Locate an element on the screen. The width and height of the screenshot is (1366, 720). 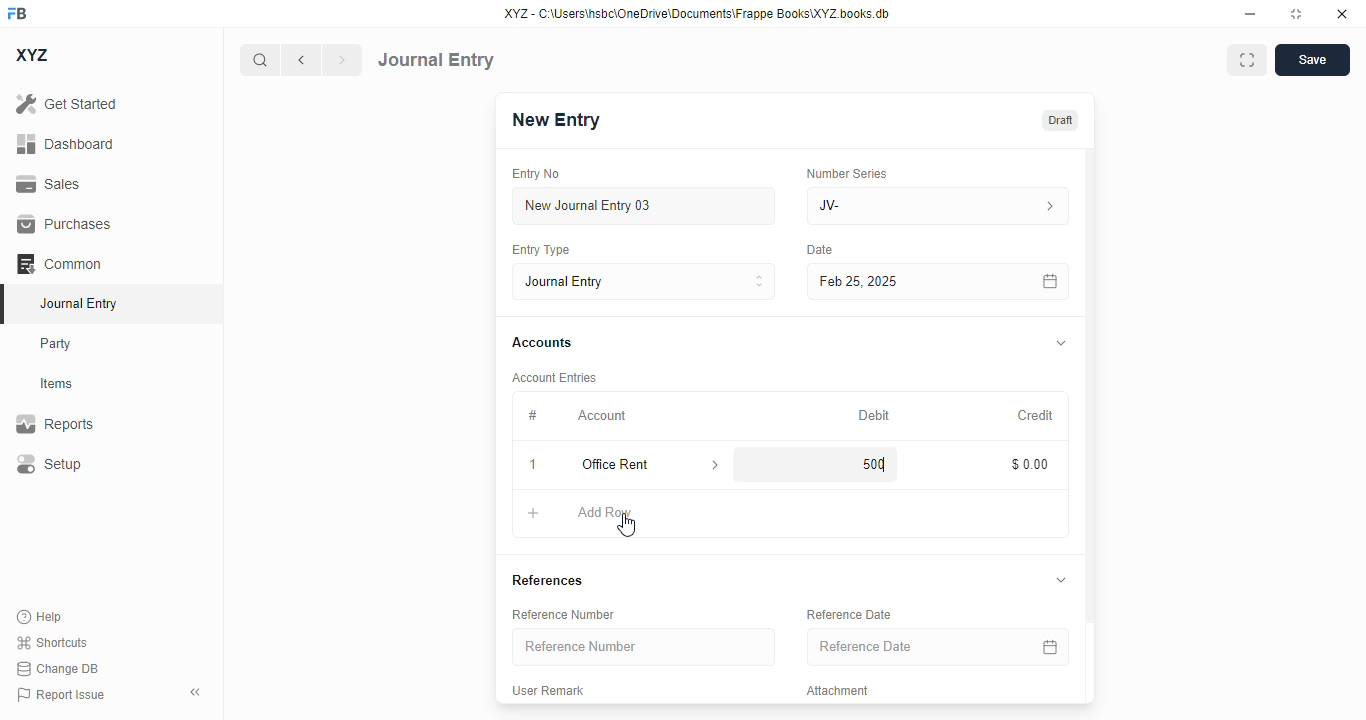
common is located at coordinates (59, 264).